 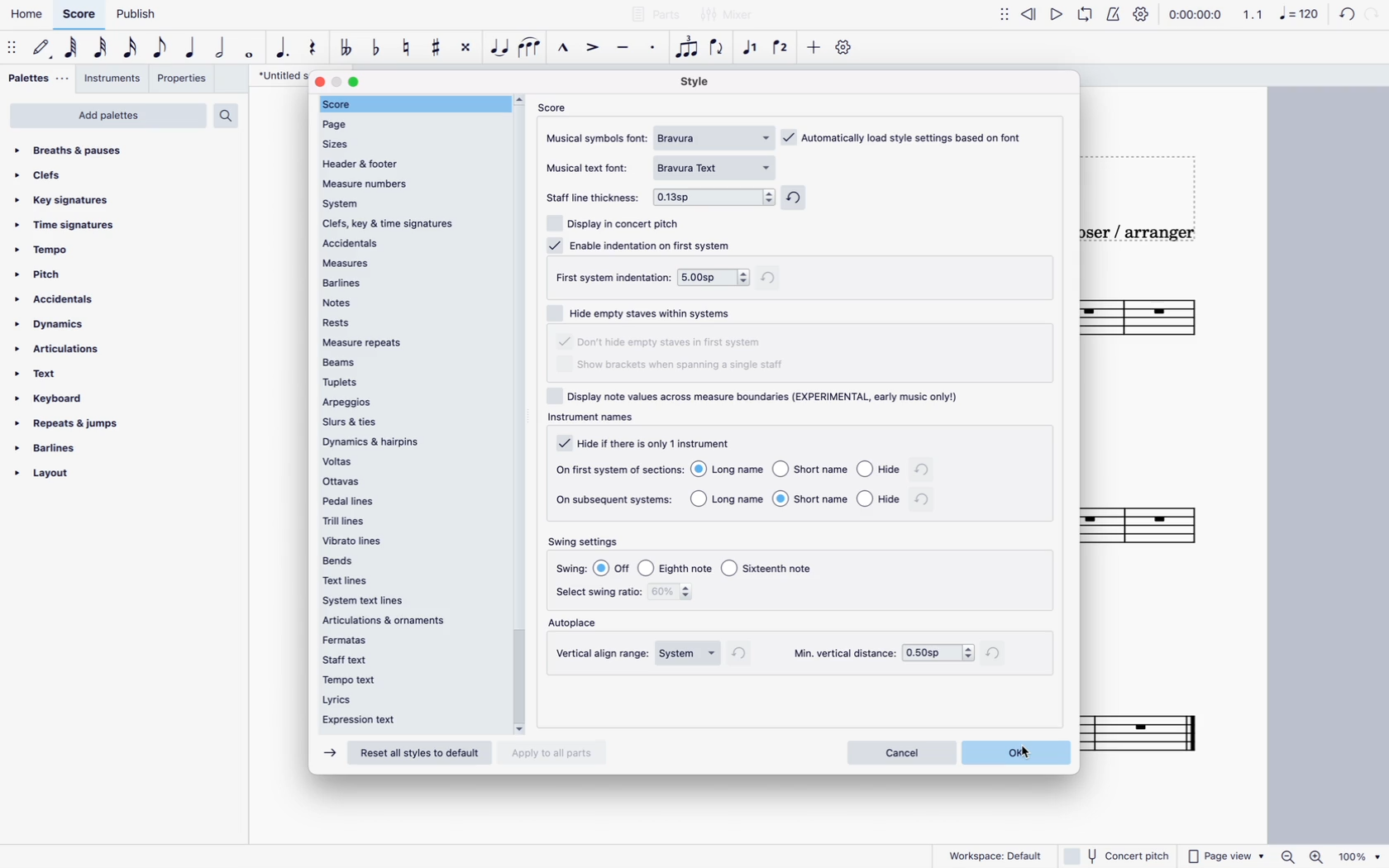 I want to click on 0:00:00:0, so click(x=1195, y=12).